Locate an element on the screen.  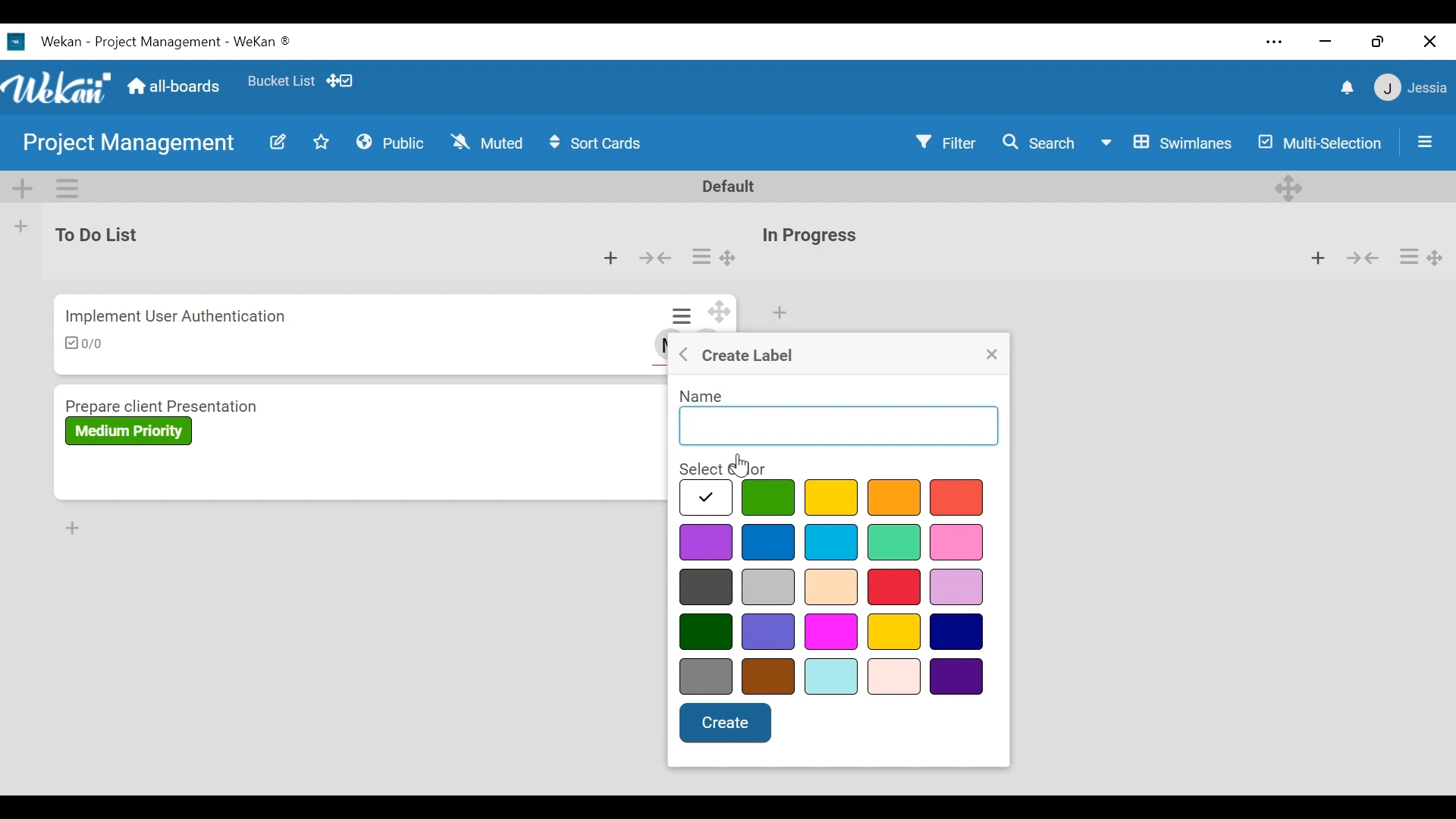
Desktop drag handles is located at coordinates (1439, 257).